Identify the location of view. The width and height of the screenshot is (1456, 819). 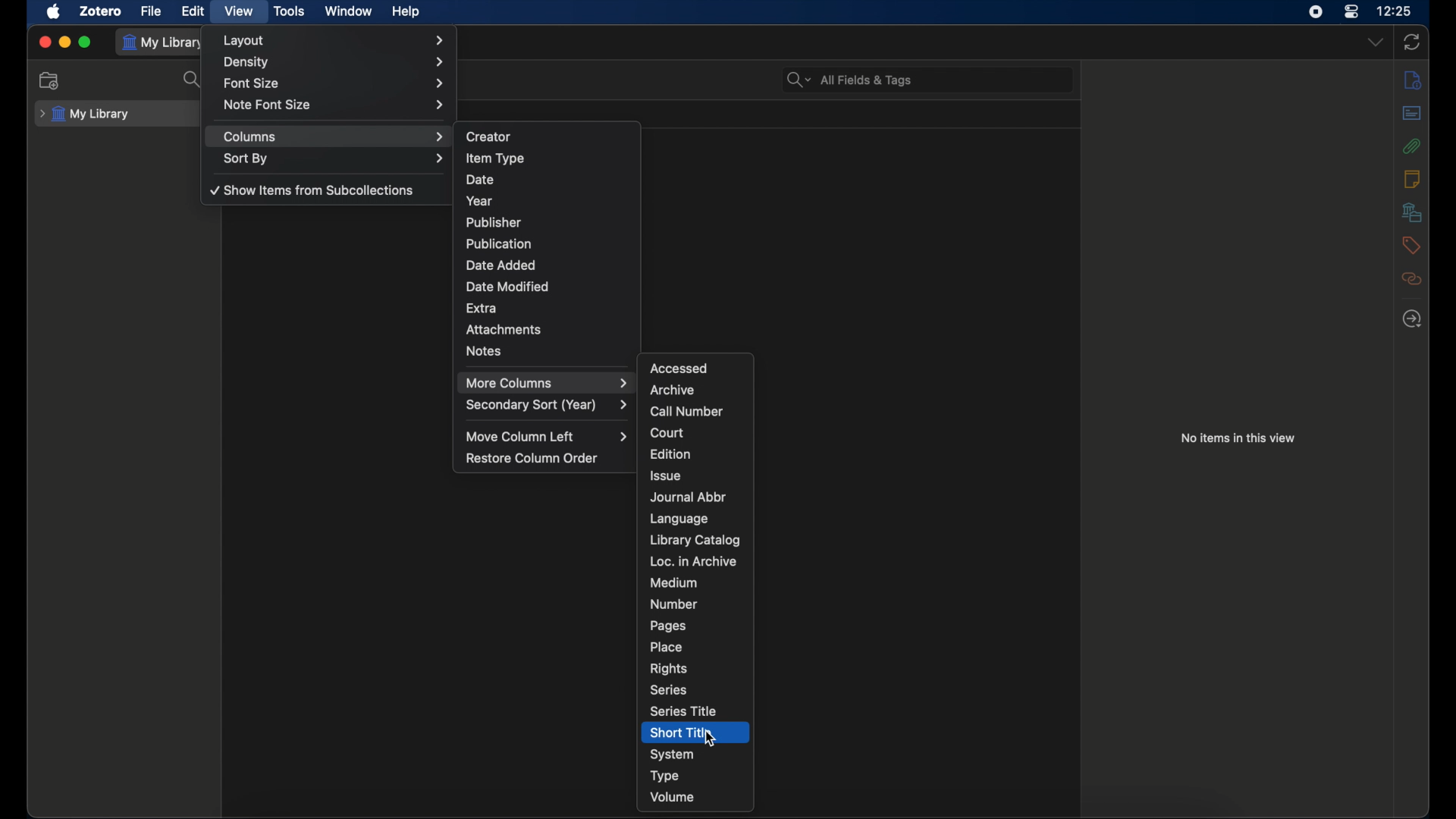
(238, 11).